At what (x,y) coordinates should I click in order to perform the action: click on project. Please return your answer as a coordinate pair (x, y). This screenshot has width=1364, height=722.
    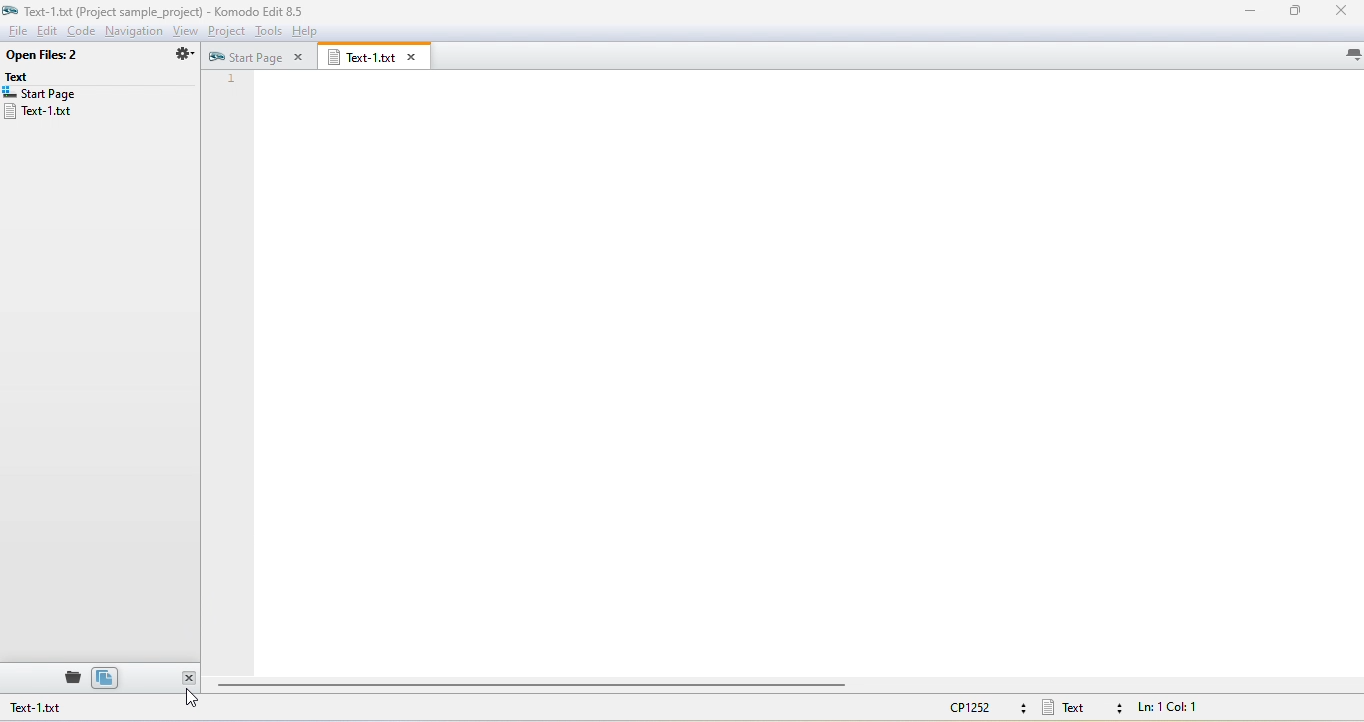
    Looking at the image, I should click on (226, 32).